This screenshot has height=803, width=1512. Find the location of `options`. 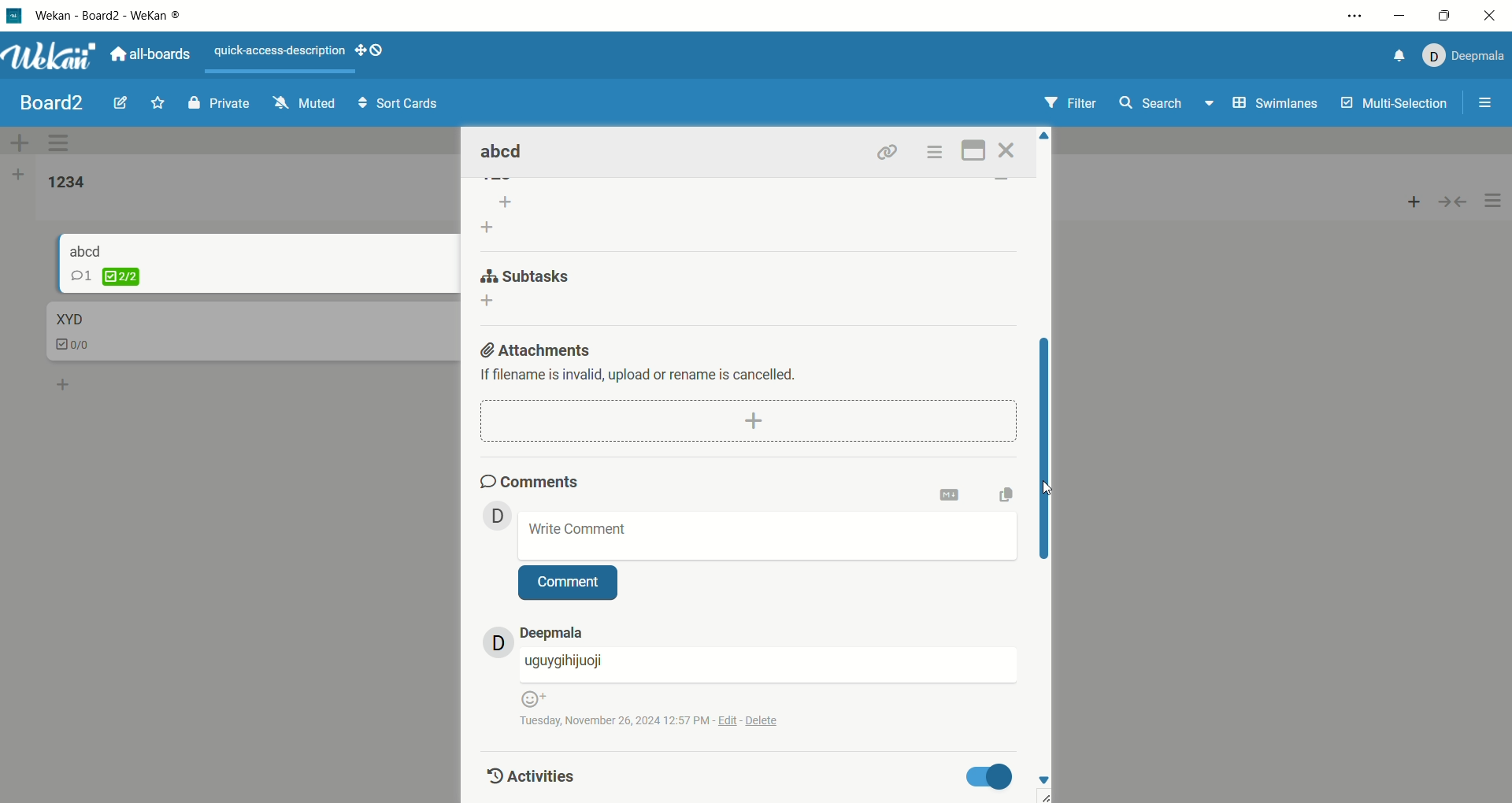

options is located at coordinates (1357, 16).